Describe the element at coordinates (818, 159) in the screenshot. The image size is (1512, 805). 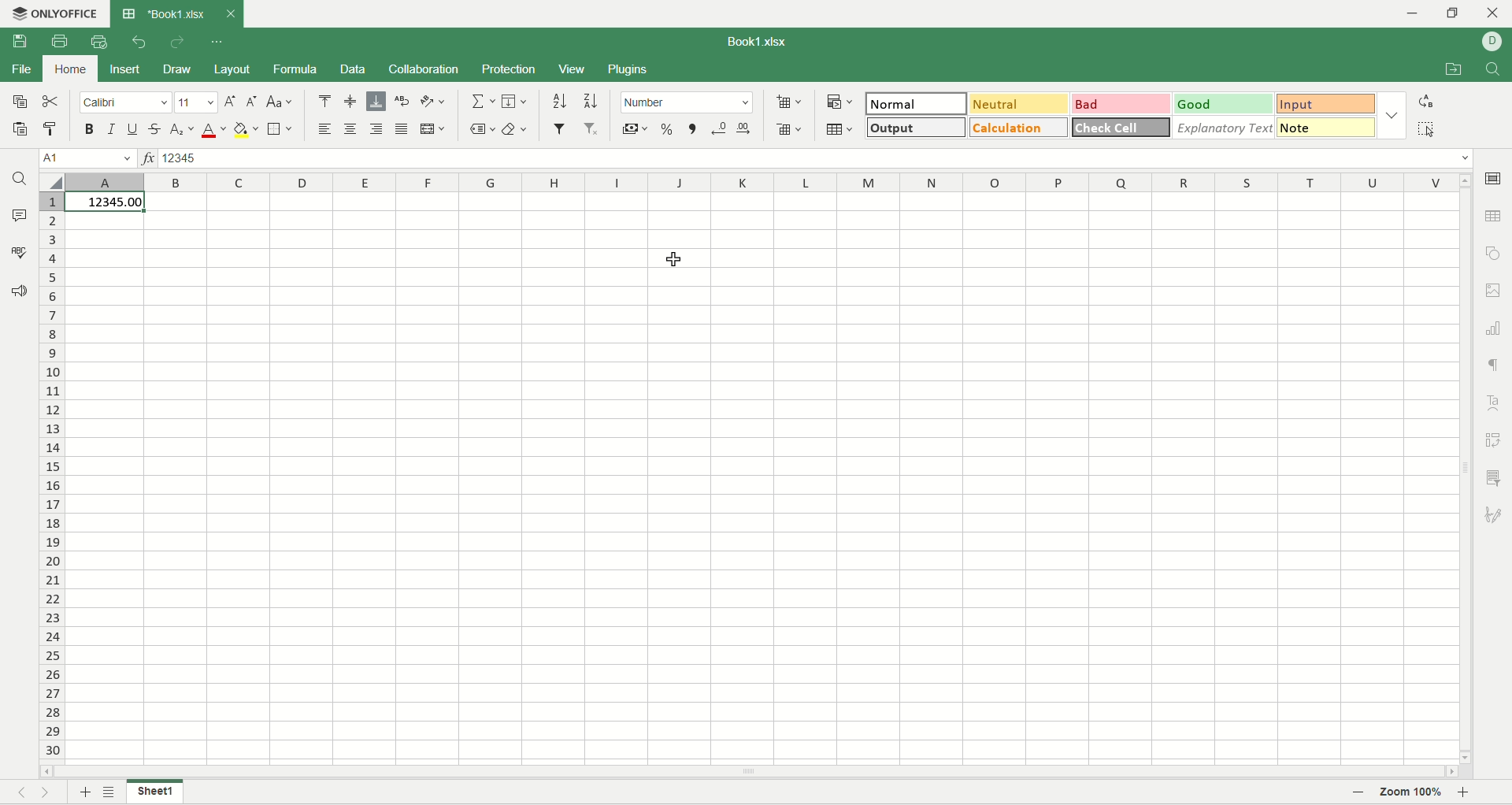
I see `input line` at that location.